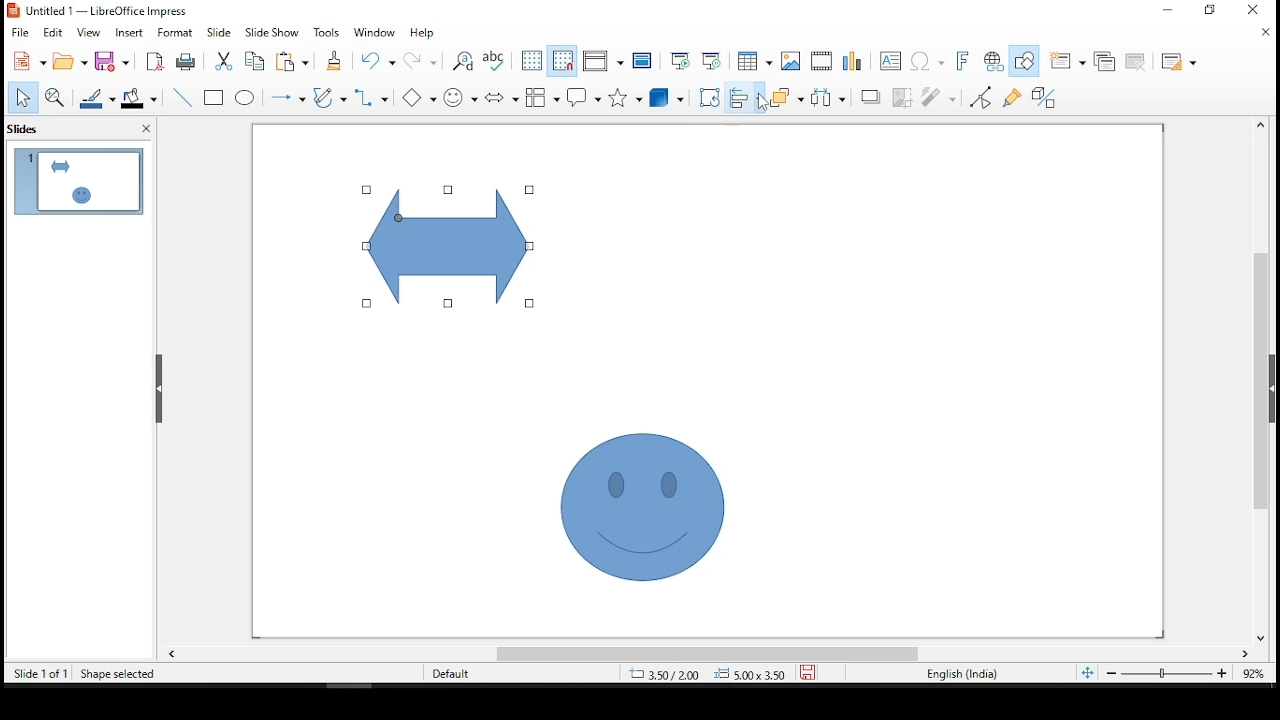  What do you see at coordinates (827, 99) in the screenshot?
I see `distribute` at bounding box center [827, 99].